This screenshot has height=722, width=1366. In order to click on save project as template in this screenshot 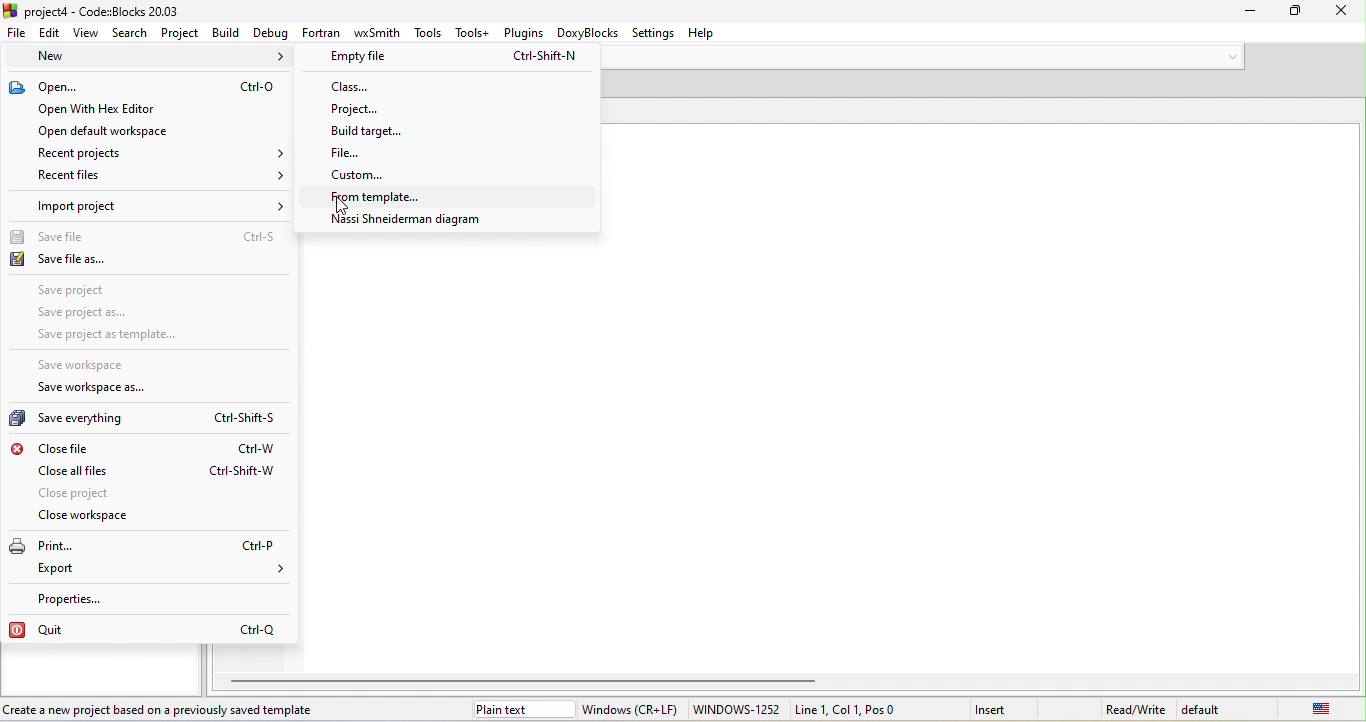, I will do `click(118, 335)`.